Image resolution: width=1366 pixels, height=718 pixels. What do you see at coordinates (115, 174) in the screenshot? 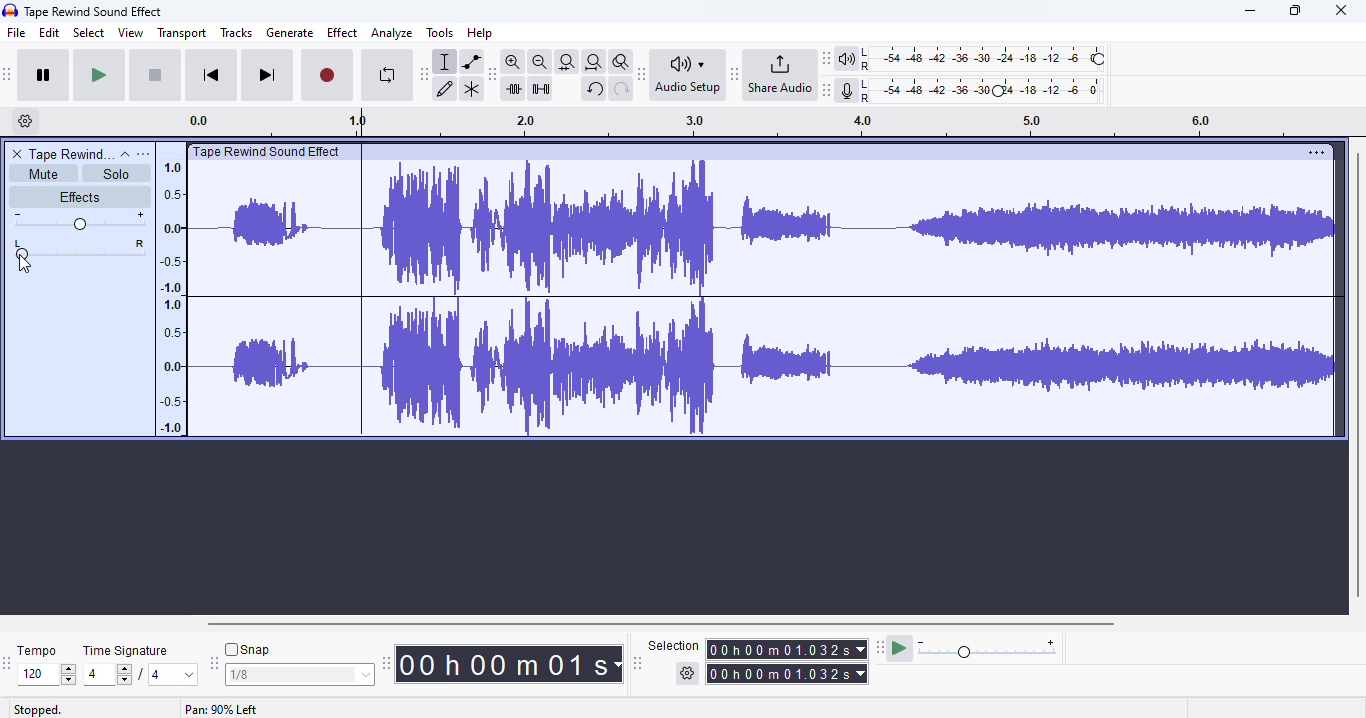
I see `solo` at bounding box center [115, 174].